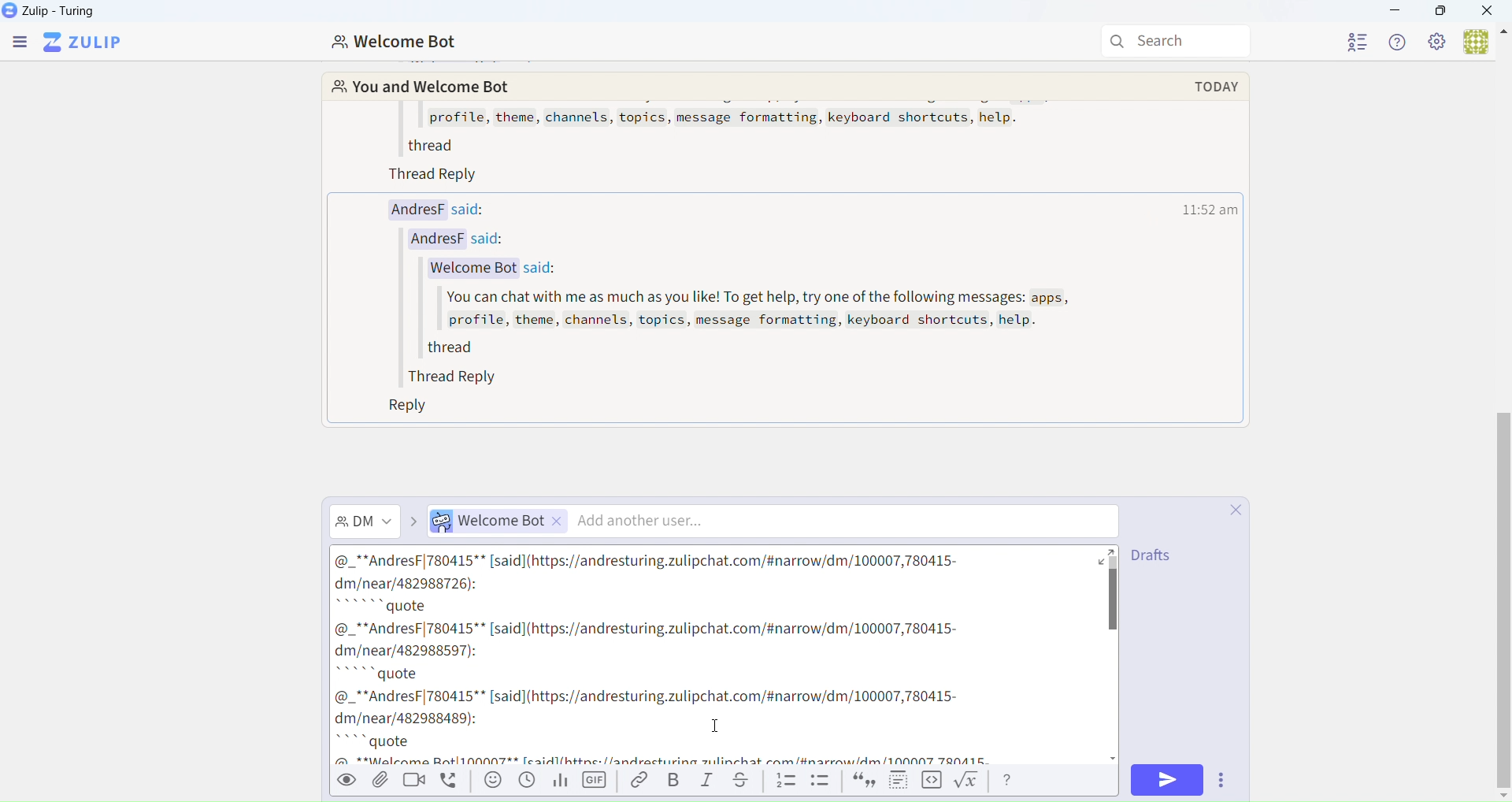  What do you see at coordinates (58, 13) in the screenshot?
I see `Zulip` at bounding box center [58, 13].